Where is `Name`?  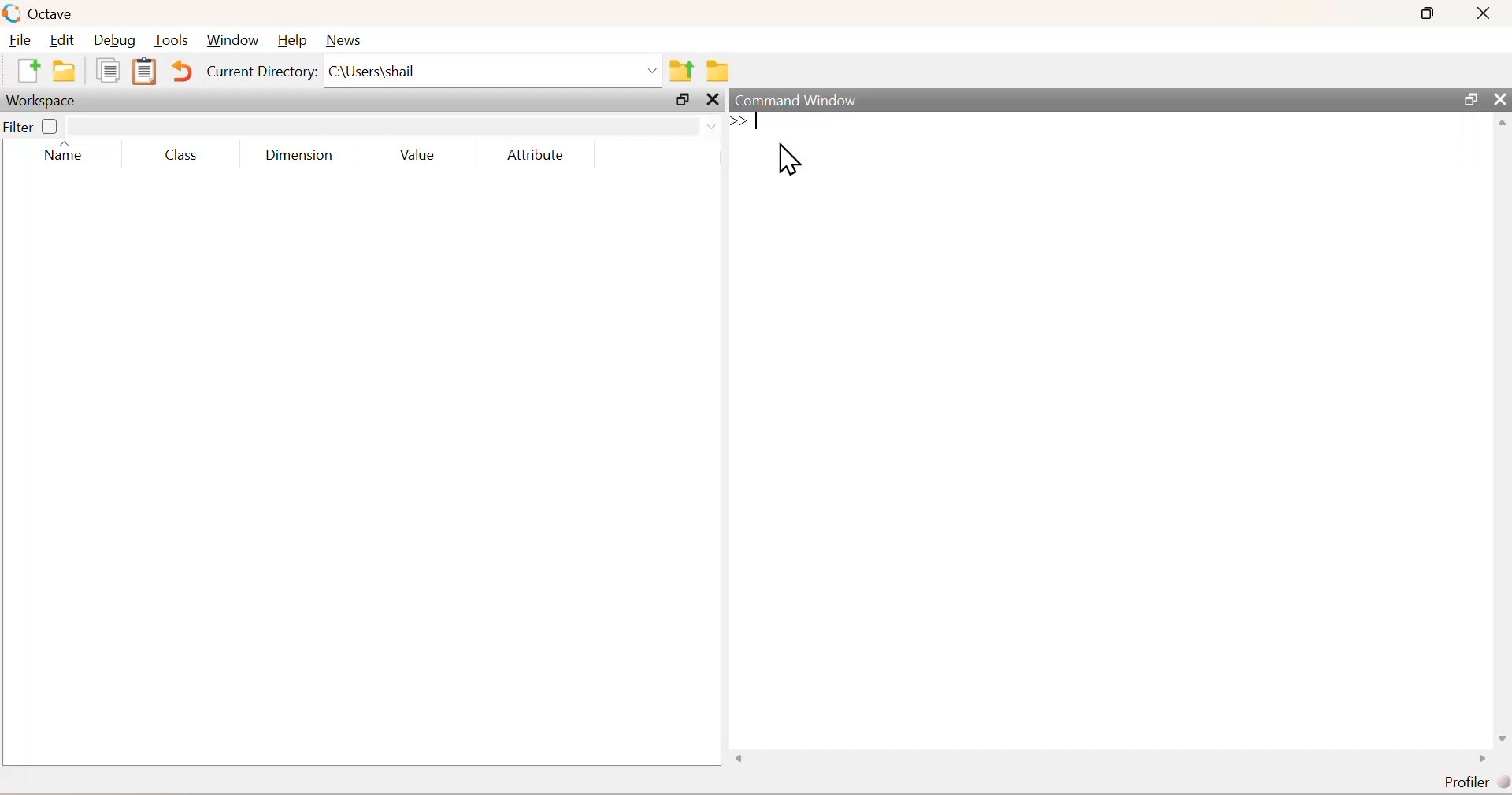 Name is located at coordinates (65, 153).